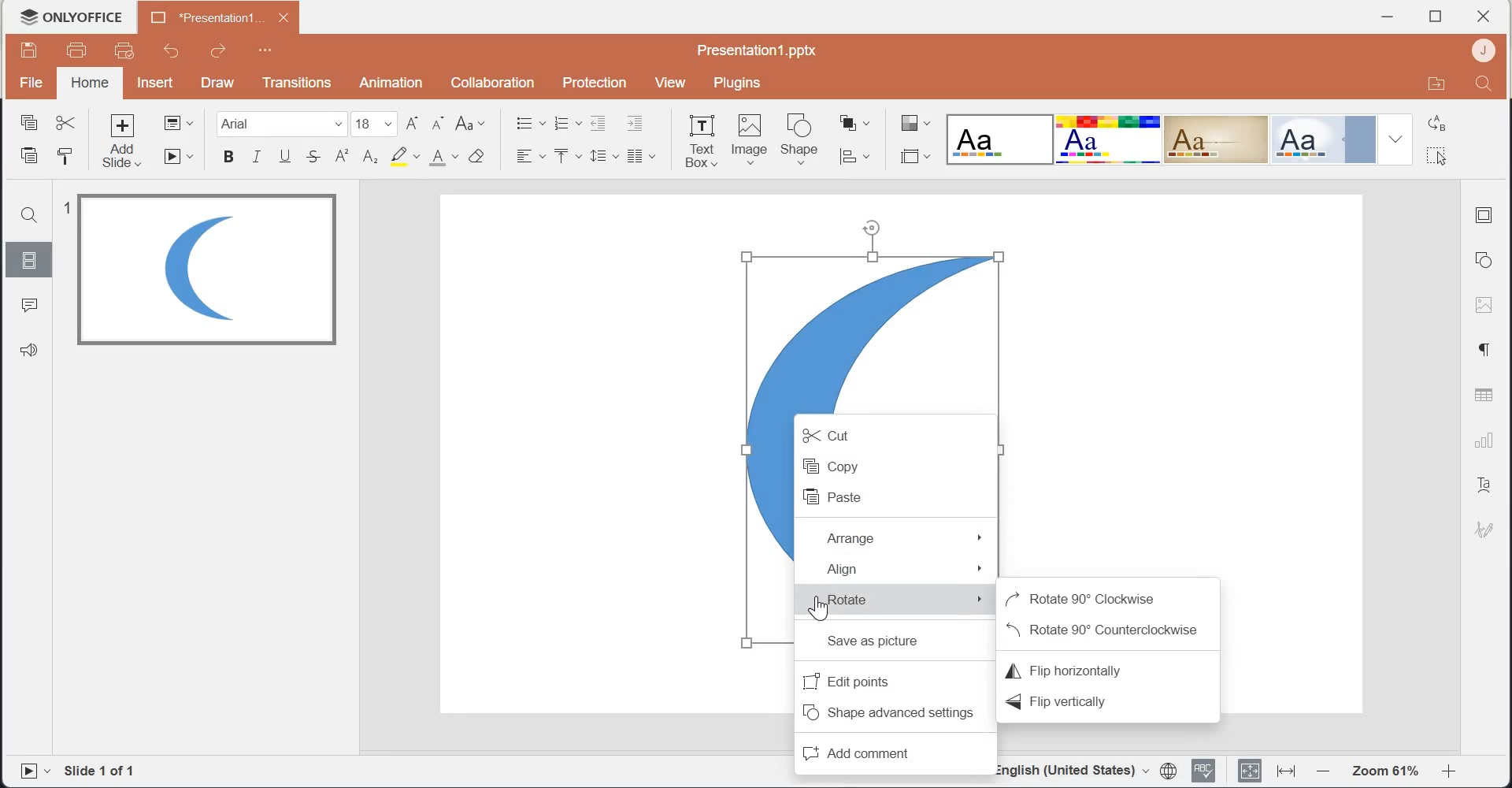 This screenshot has width=1512, height=788. Describe the element at coordinates (28, 350) in the screenshot. I see `Feedback & Support` at that location.